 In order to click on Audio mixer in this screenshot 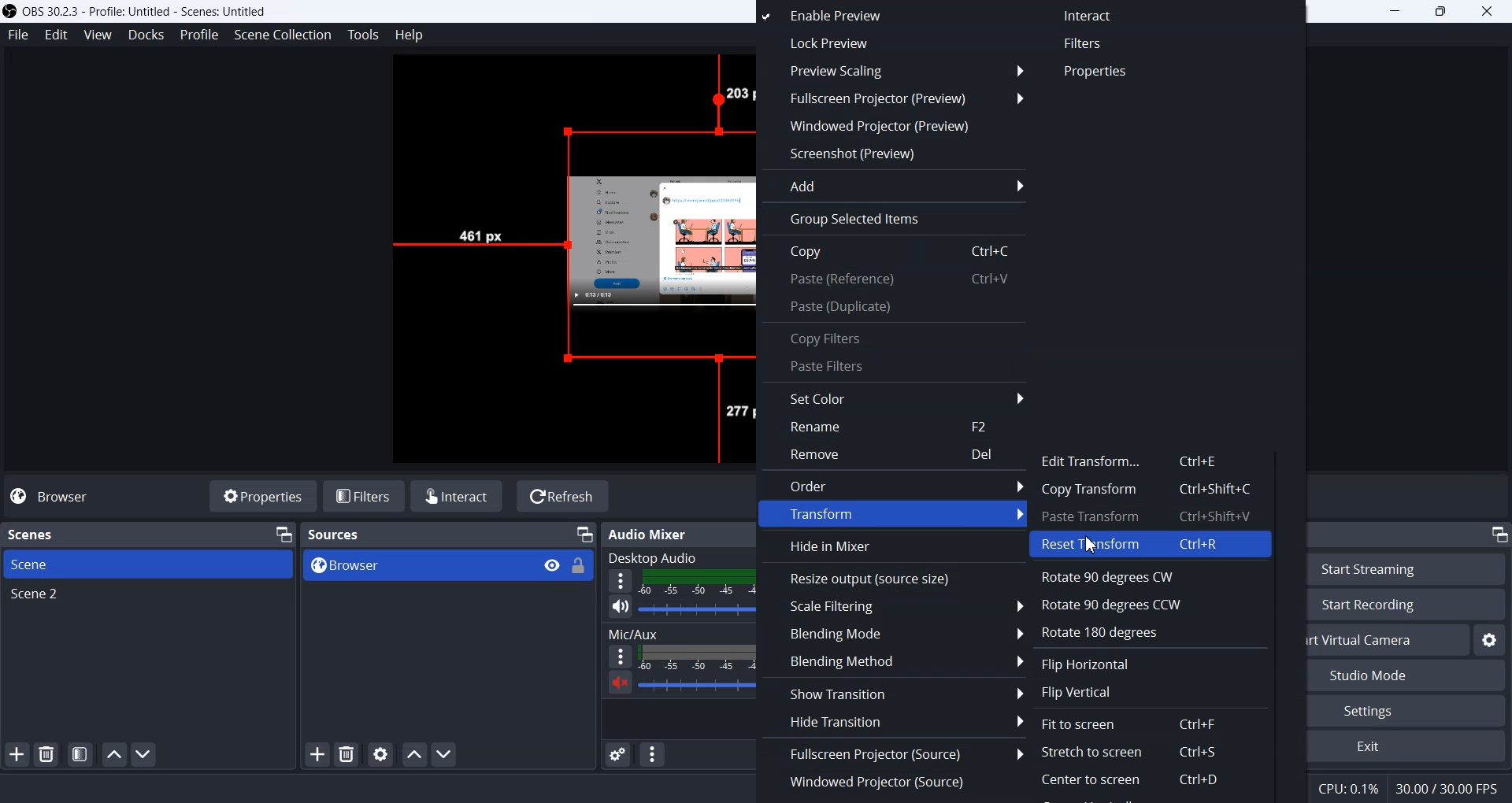, I will do `click(687, 532)`.